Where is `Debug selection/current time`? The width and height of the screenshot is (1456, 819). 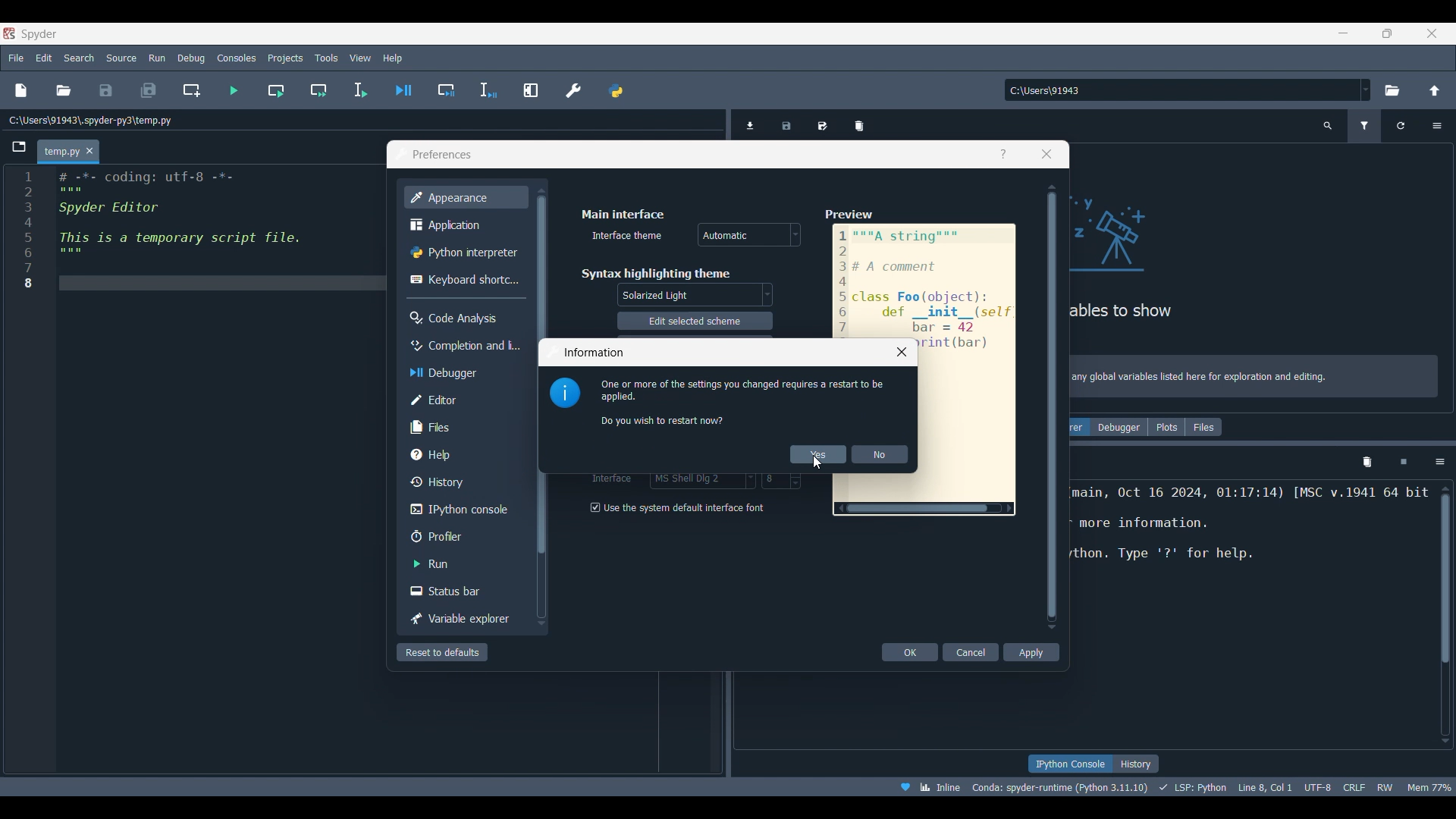
Debug selection/current time is located at coordinates (488, 90).